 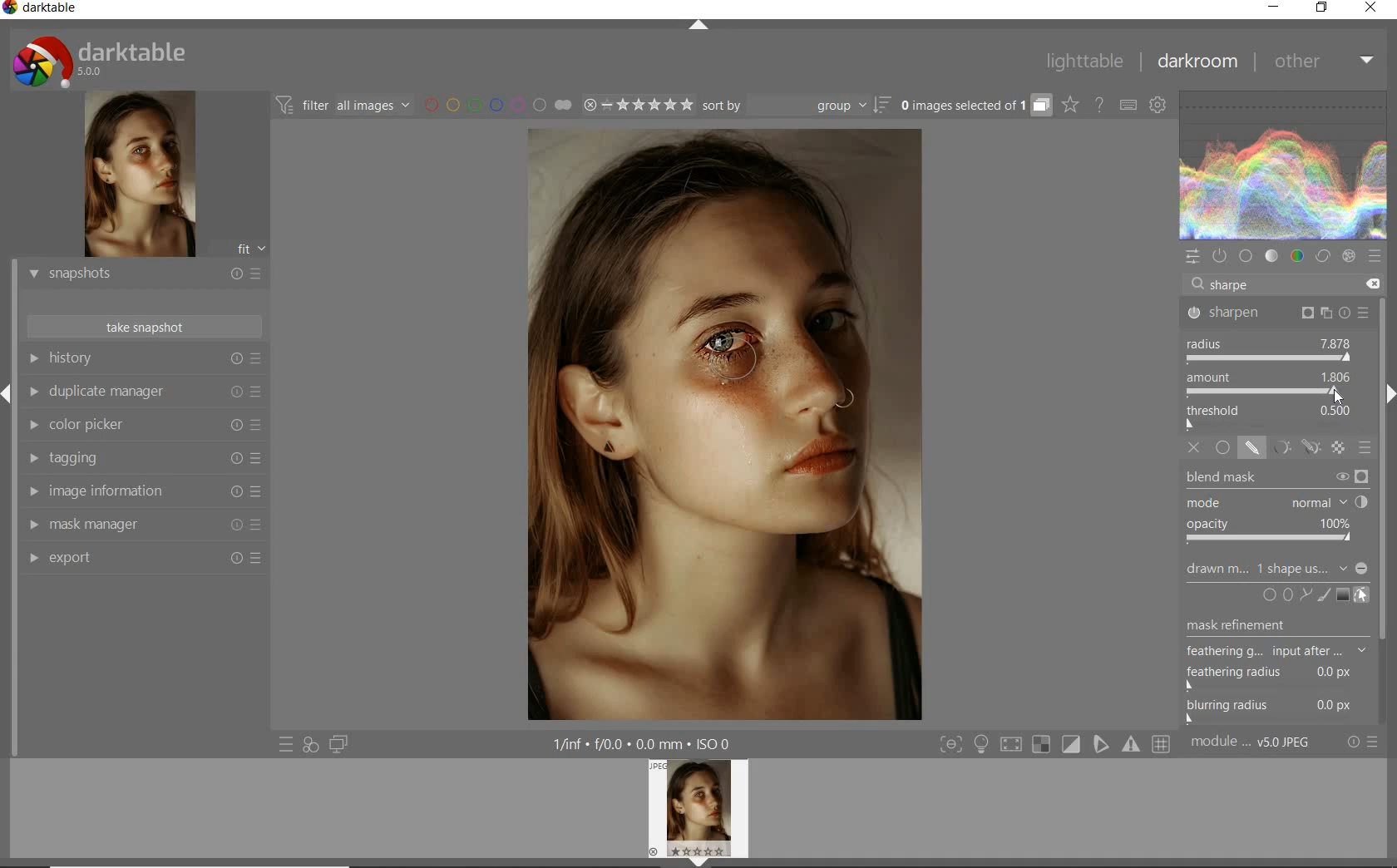 I want to click on reset or presets & preferences, so click(x=1364, y=742).